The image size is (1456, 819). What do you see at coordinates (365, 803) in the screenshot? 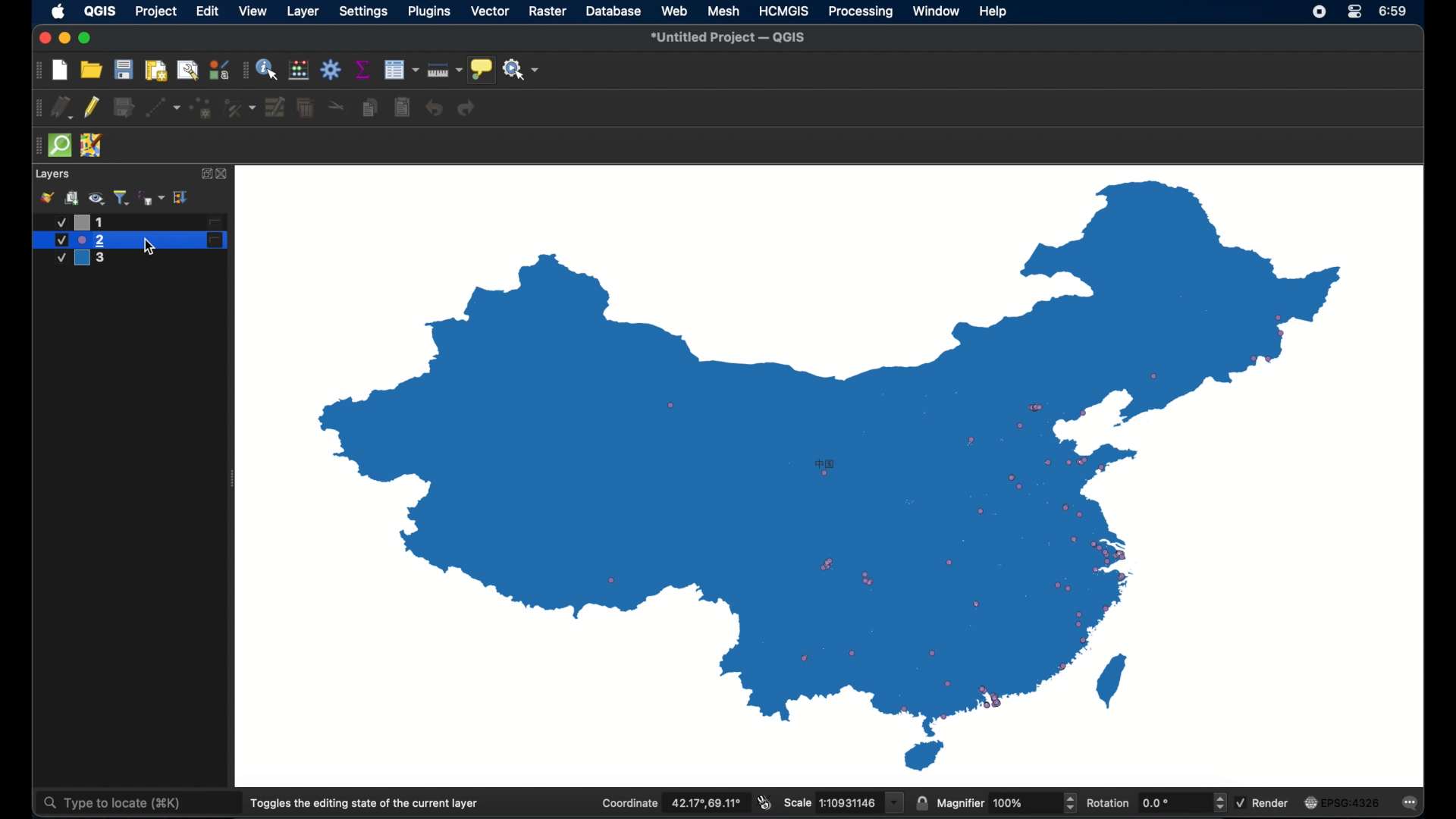
I see `toggles the  dining state of the current layer` at bounding box center [365, 803].